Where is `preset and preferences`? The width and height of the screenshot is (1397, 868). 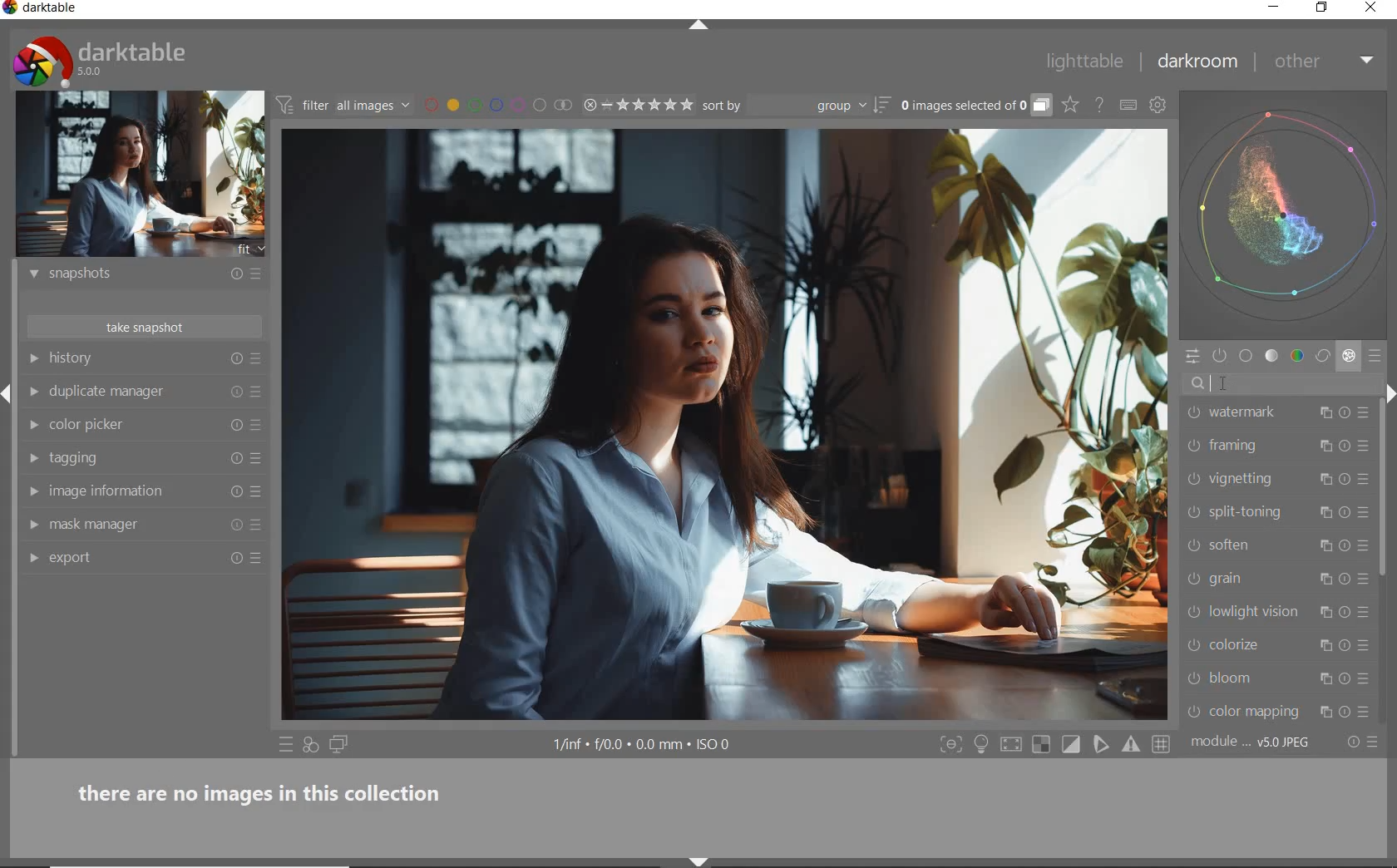 preset and preferences is located at coordinates (259, 558).